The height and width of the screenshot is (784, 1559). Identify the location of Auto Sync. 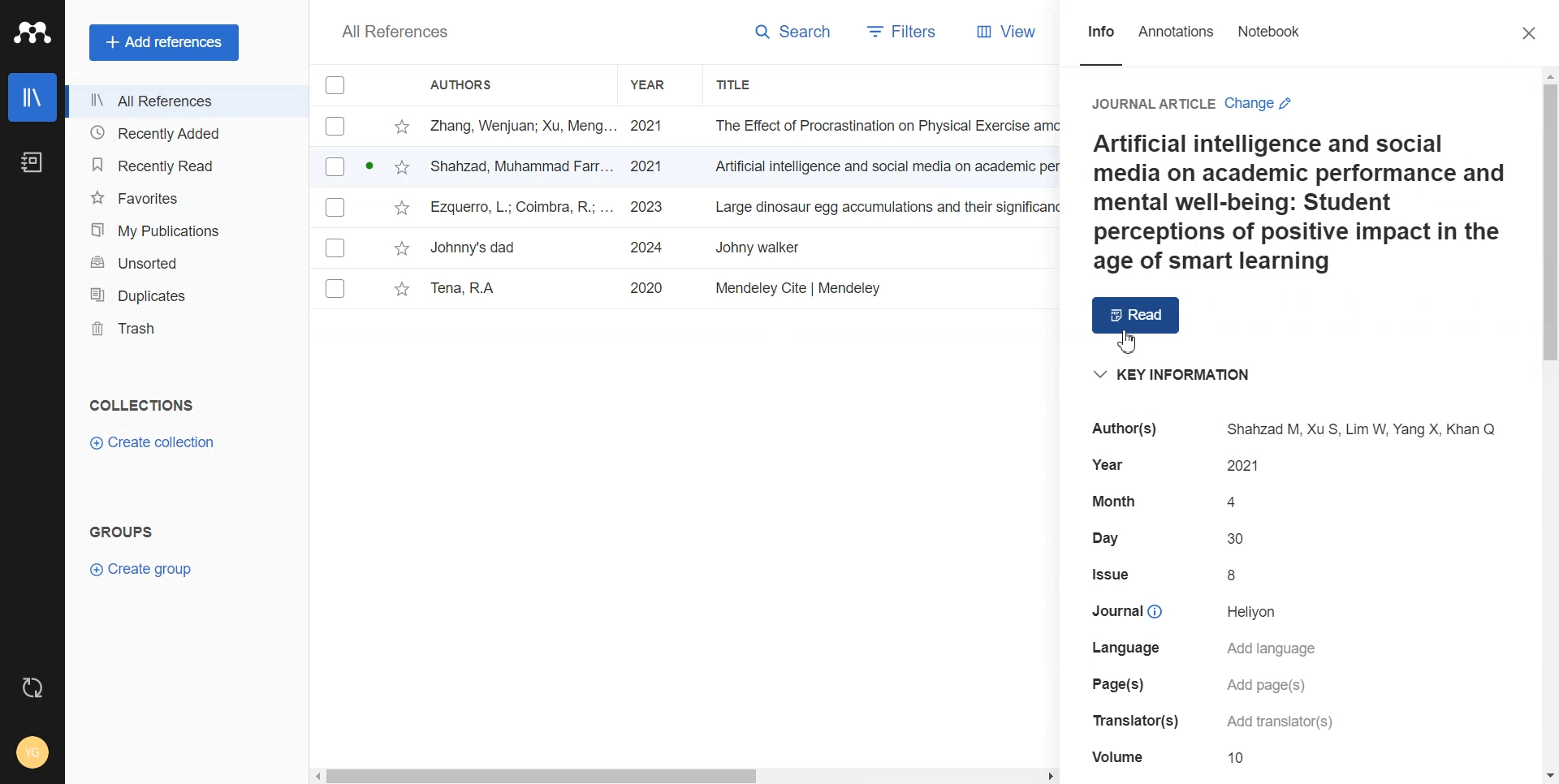
(33, 688).